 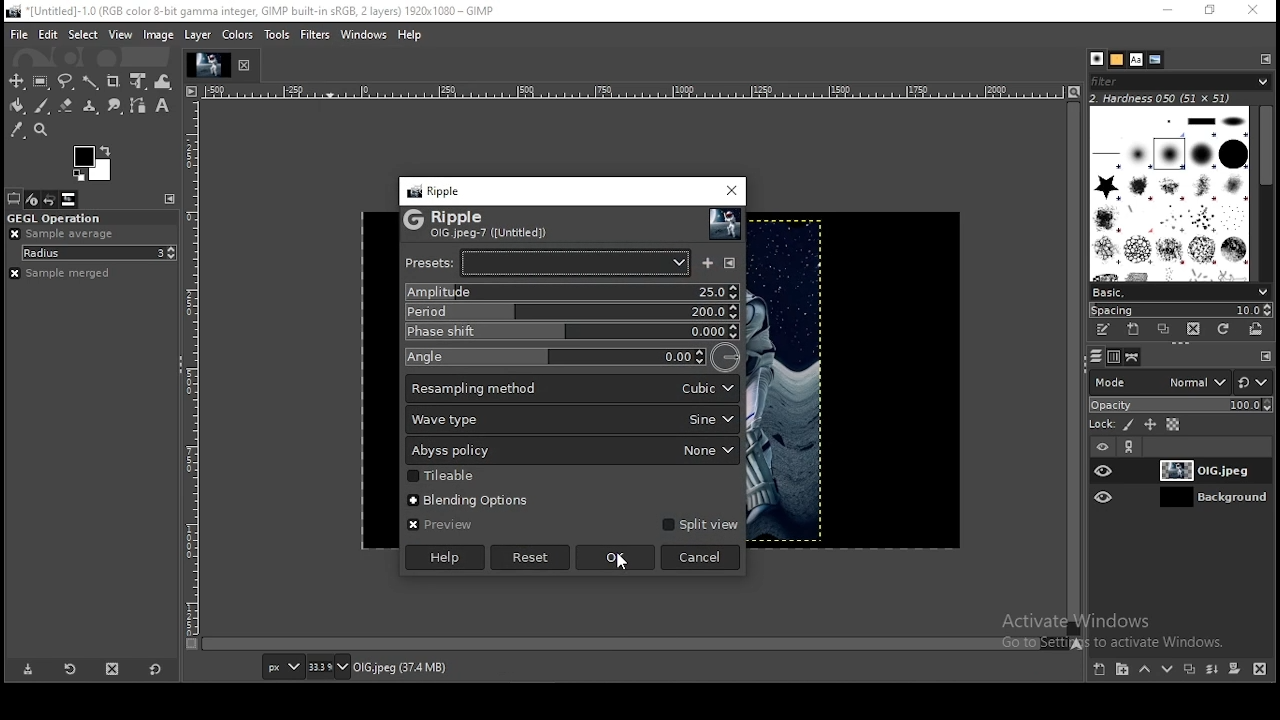 What do you see at coordinates (1168, 672) in the screenshot?
I see `move layer down` at bounding box center [1168, 672].